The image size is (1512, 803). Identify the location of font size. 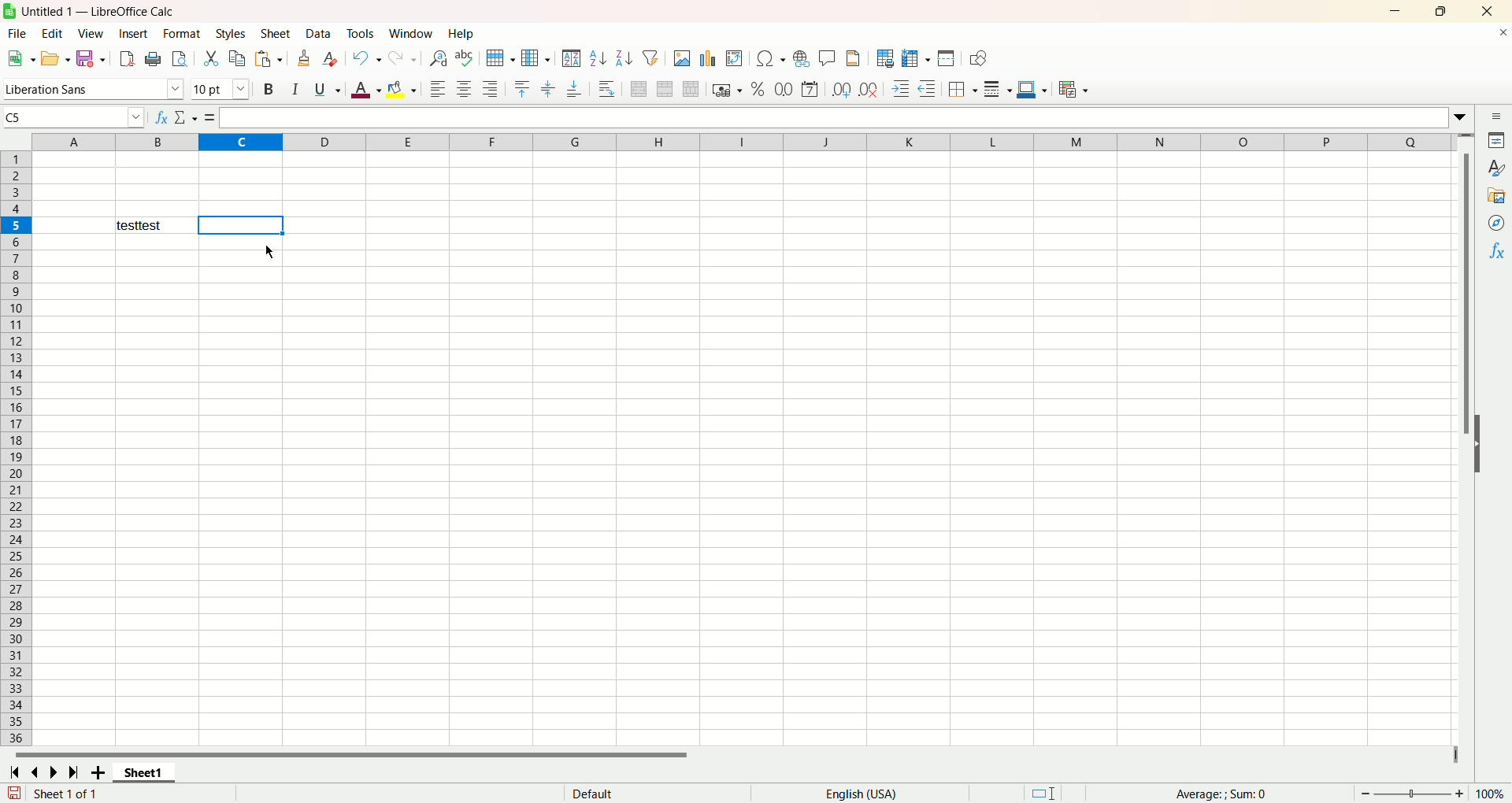
(221, 91).